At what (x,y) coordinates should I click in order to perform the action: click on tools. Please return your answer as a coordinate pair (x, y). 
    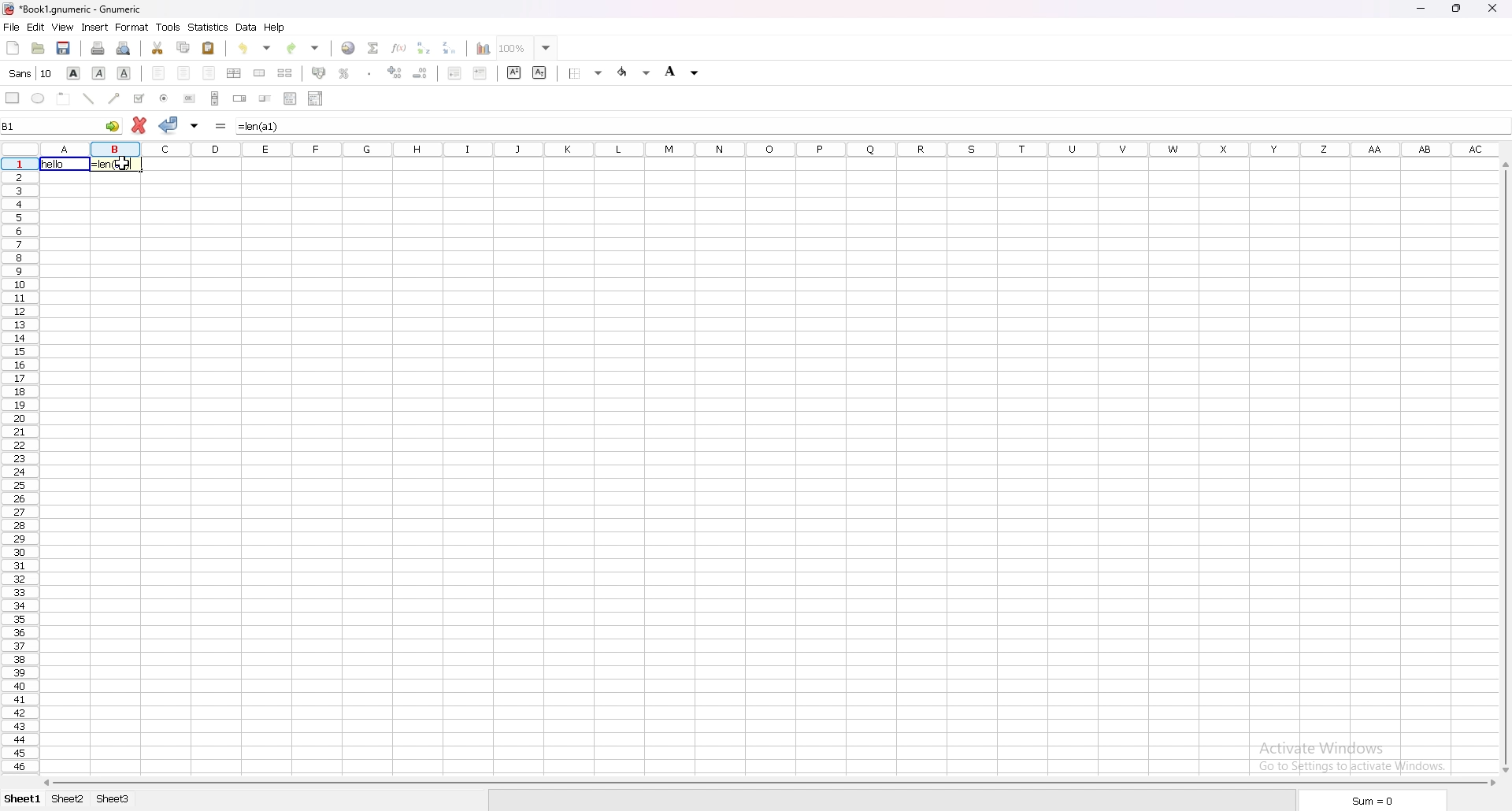
    Looking at the image, I should click on (168, 27).